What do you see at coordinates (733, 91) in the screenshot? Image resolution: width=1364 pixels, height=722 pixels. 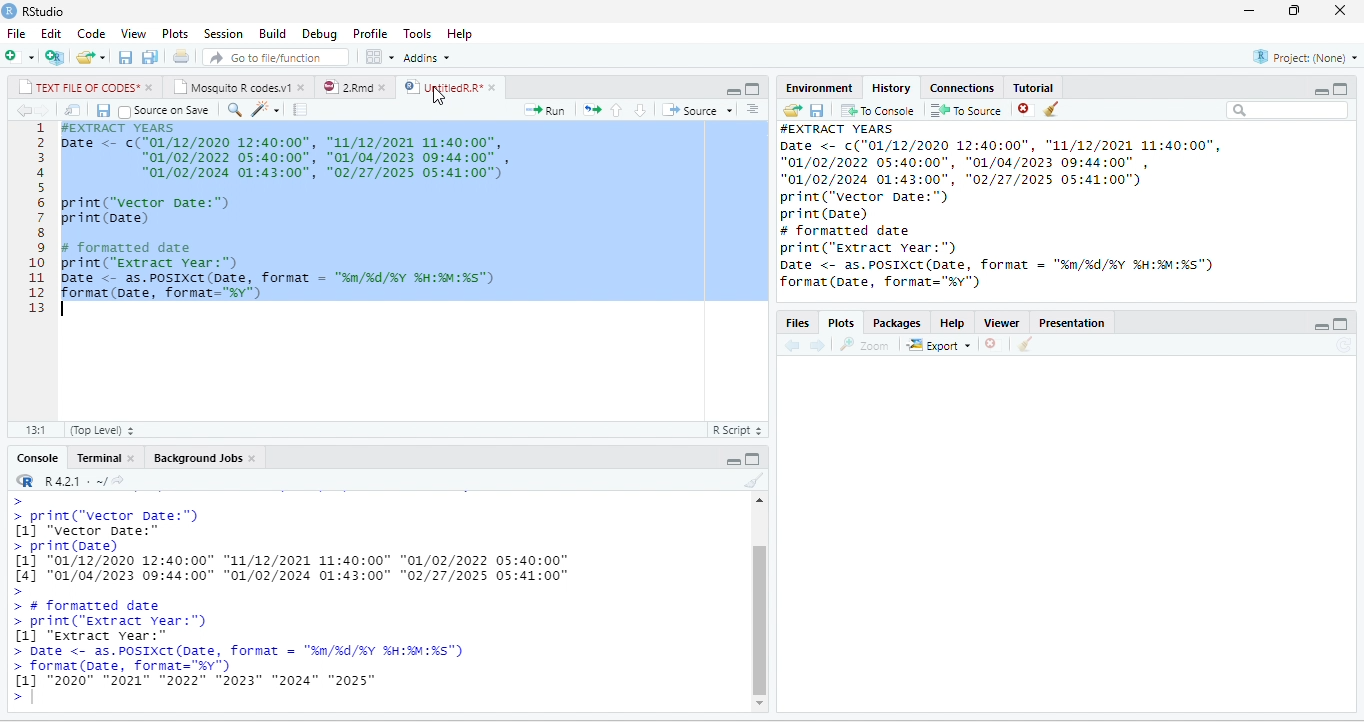 I see `minimize` at bounding box center [733, 91].